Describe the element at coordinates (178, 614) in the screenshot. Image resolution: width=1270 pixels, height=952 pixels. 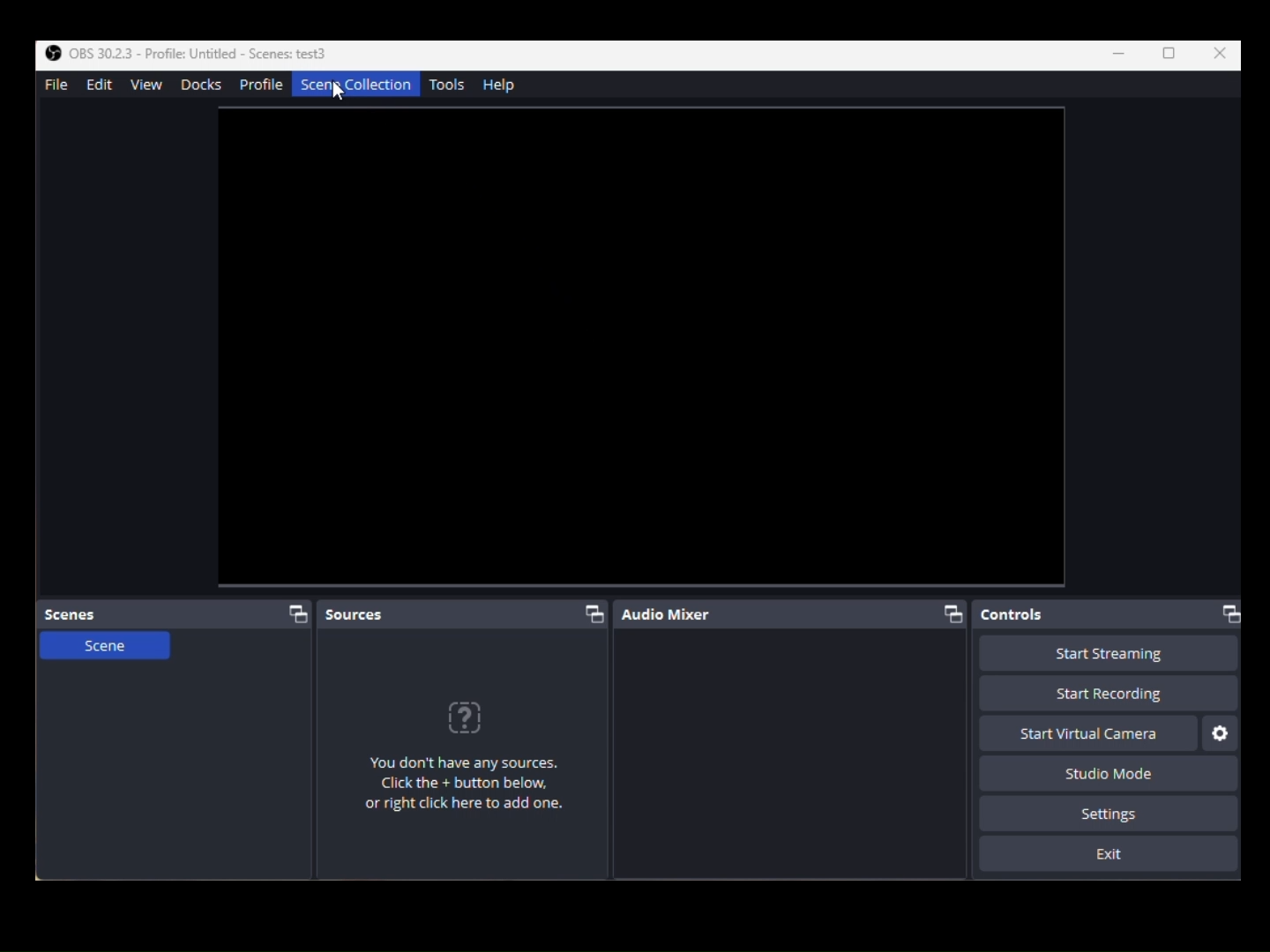
I see `Scenes` at that location.